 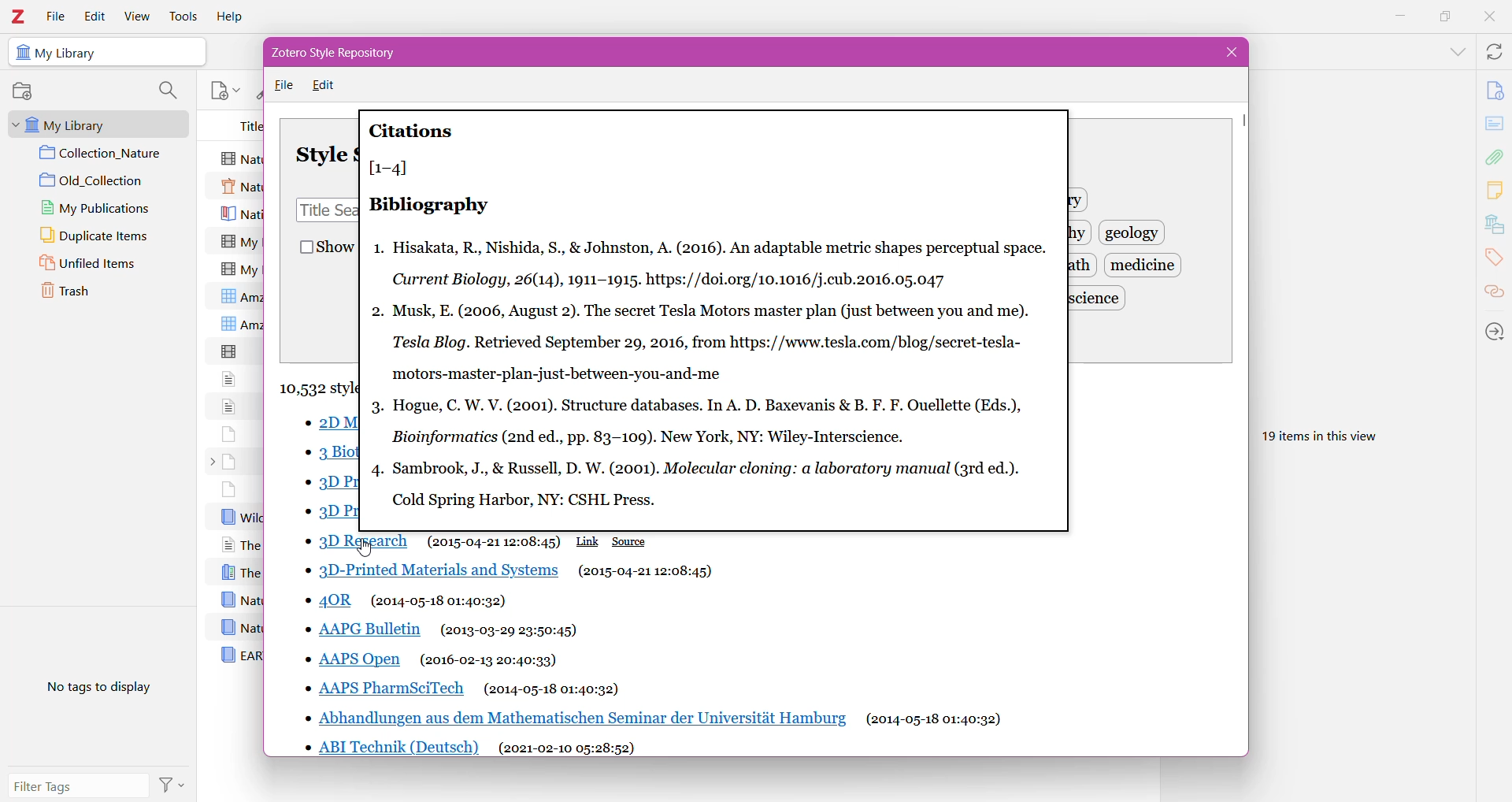 I want to click on Collection 2, so click(x=105, y=180).